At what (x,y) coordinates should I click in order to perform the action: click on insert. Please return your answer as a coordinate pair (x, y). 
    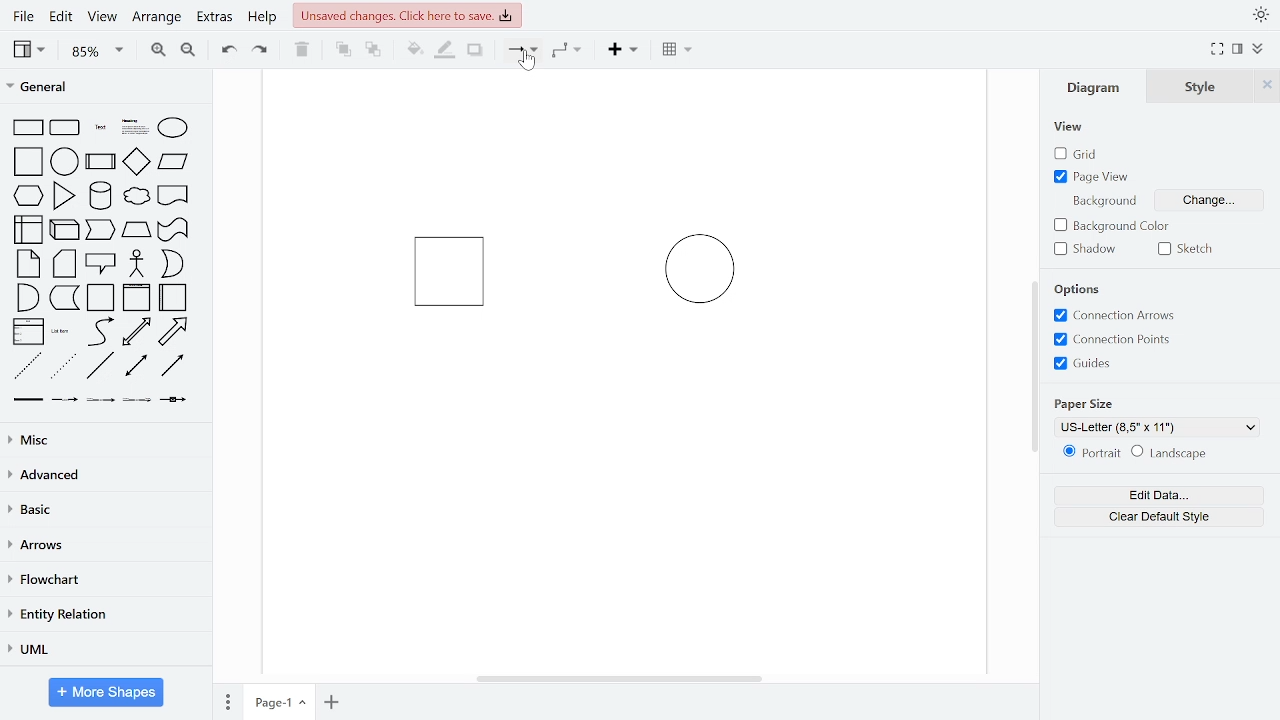
    Looking at the image, I should click on (628, 50).